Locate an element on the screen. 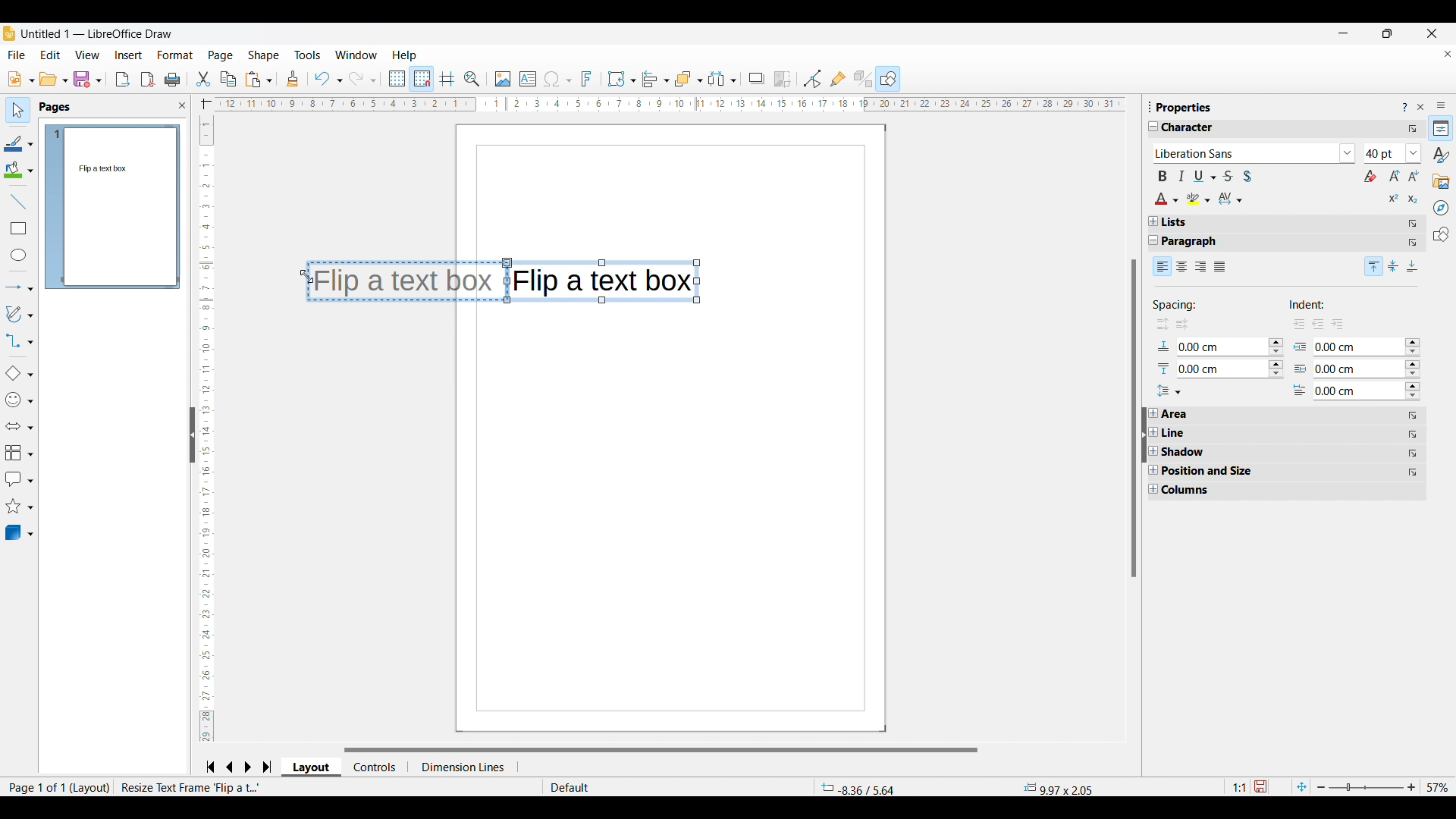  Decrease font size is located at coordinates (1414, 175).